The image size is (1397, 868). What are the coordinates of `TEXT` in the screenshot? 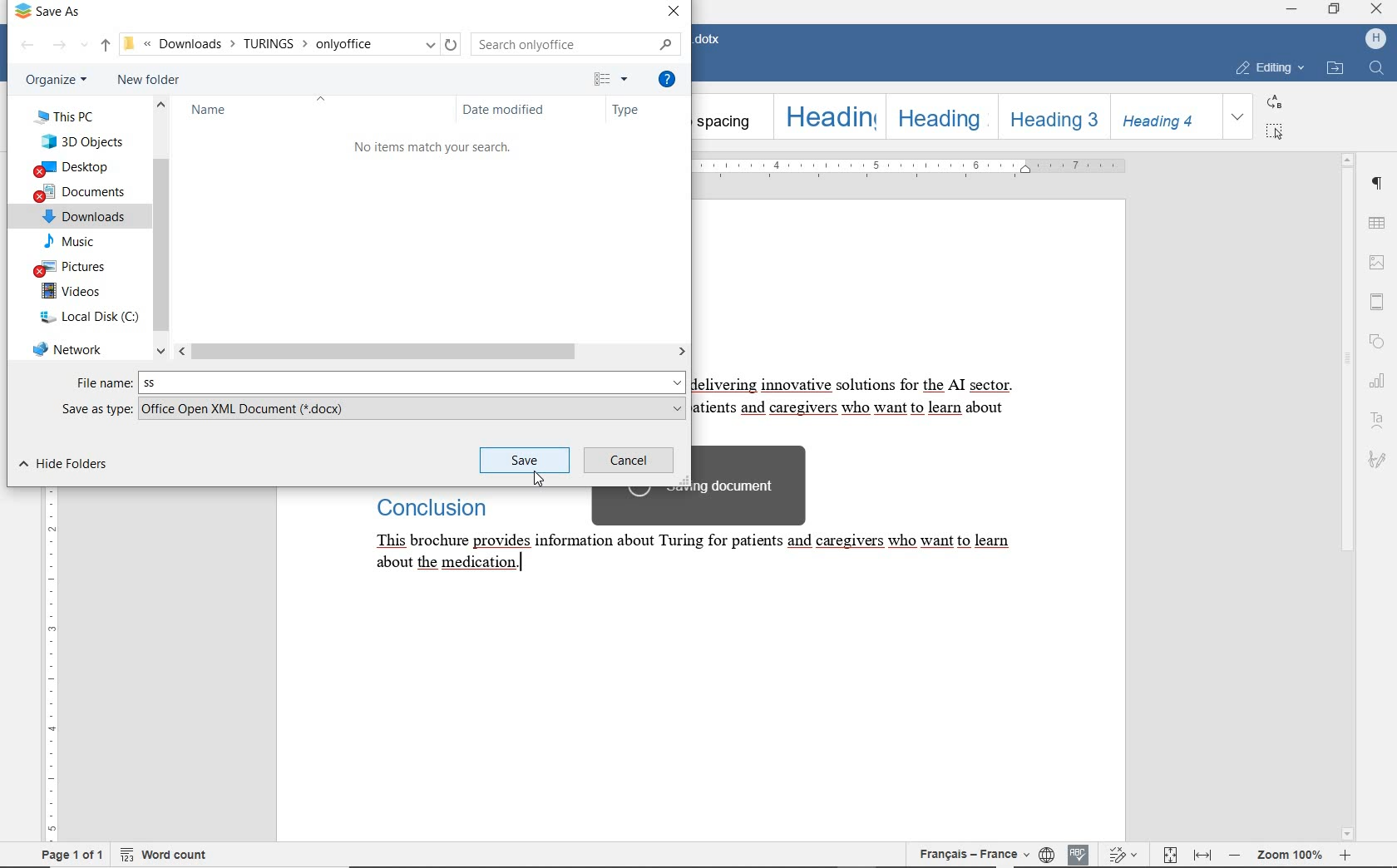 It's located at (870, 501).